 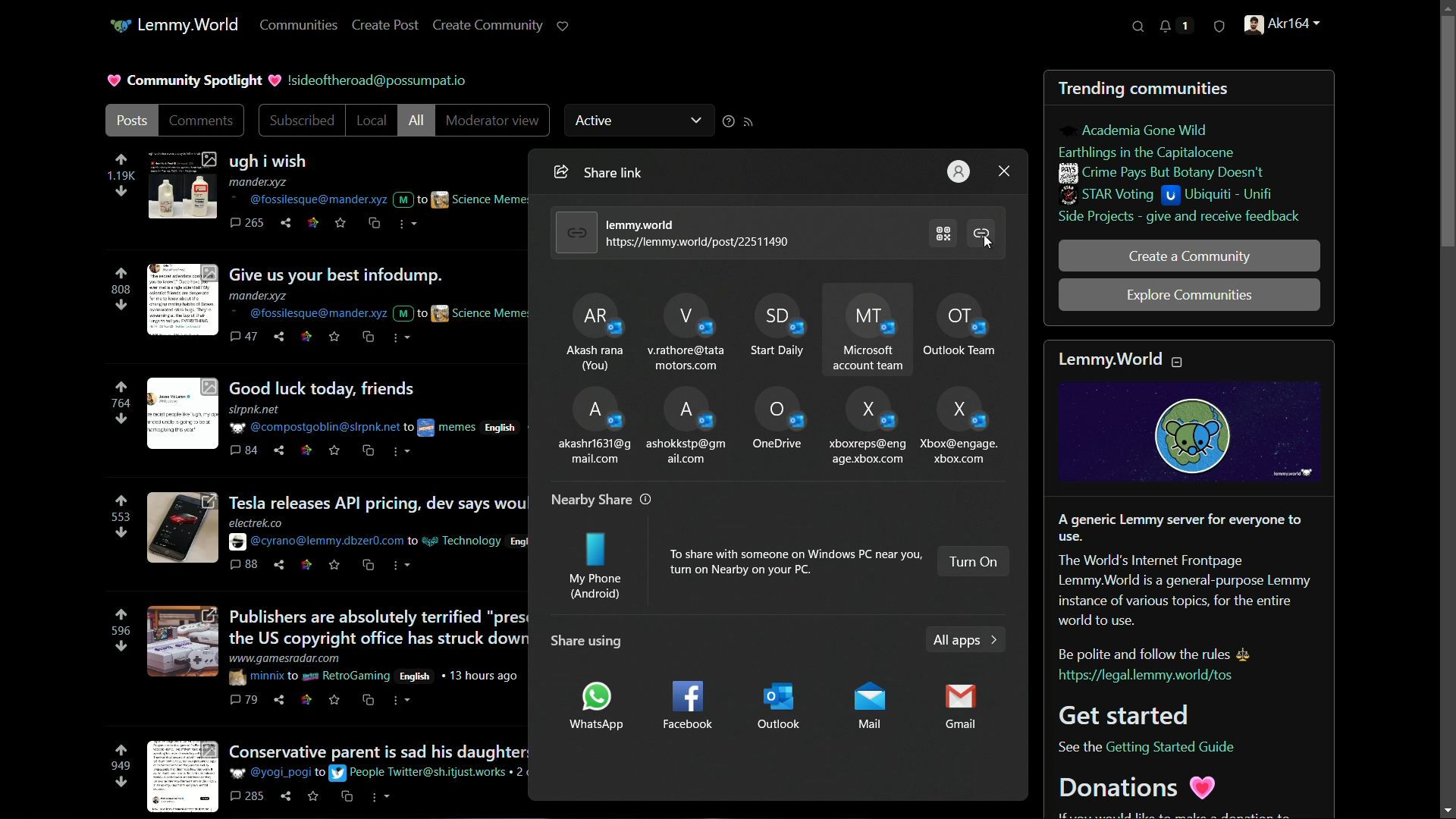 I want to click on explore communities, so click(x=1191, y=294).